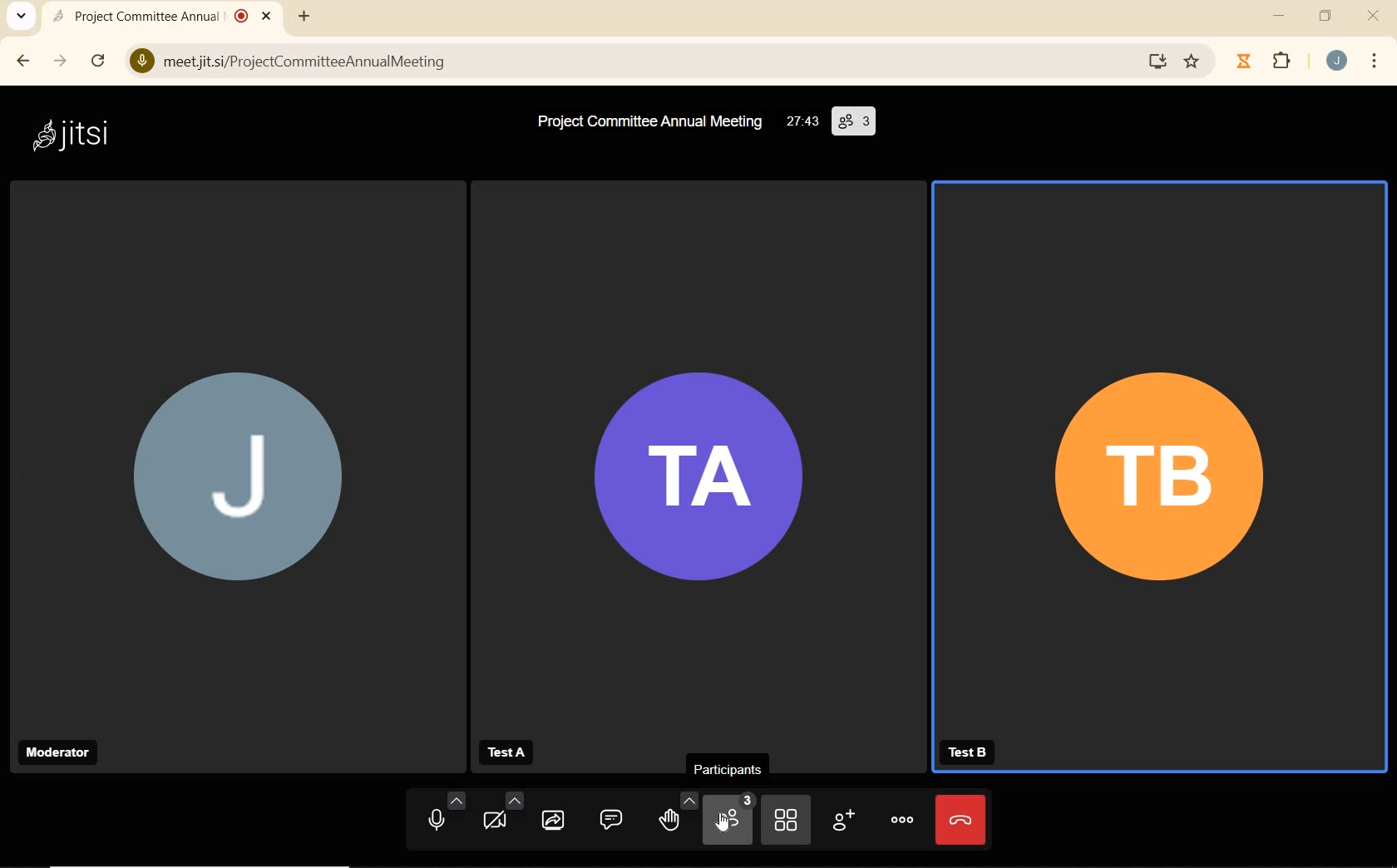  I want to click on TB, so click(1162, 454).